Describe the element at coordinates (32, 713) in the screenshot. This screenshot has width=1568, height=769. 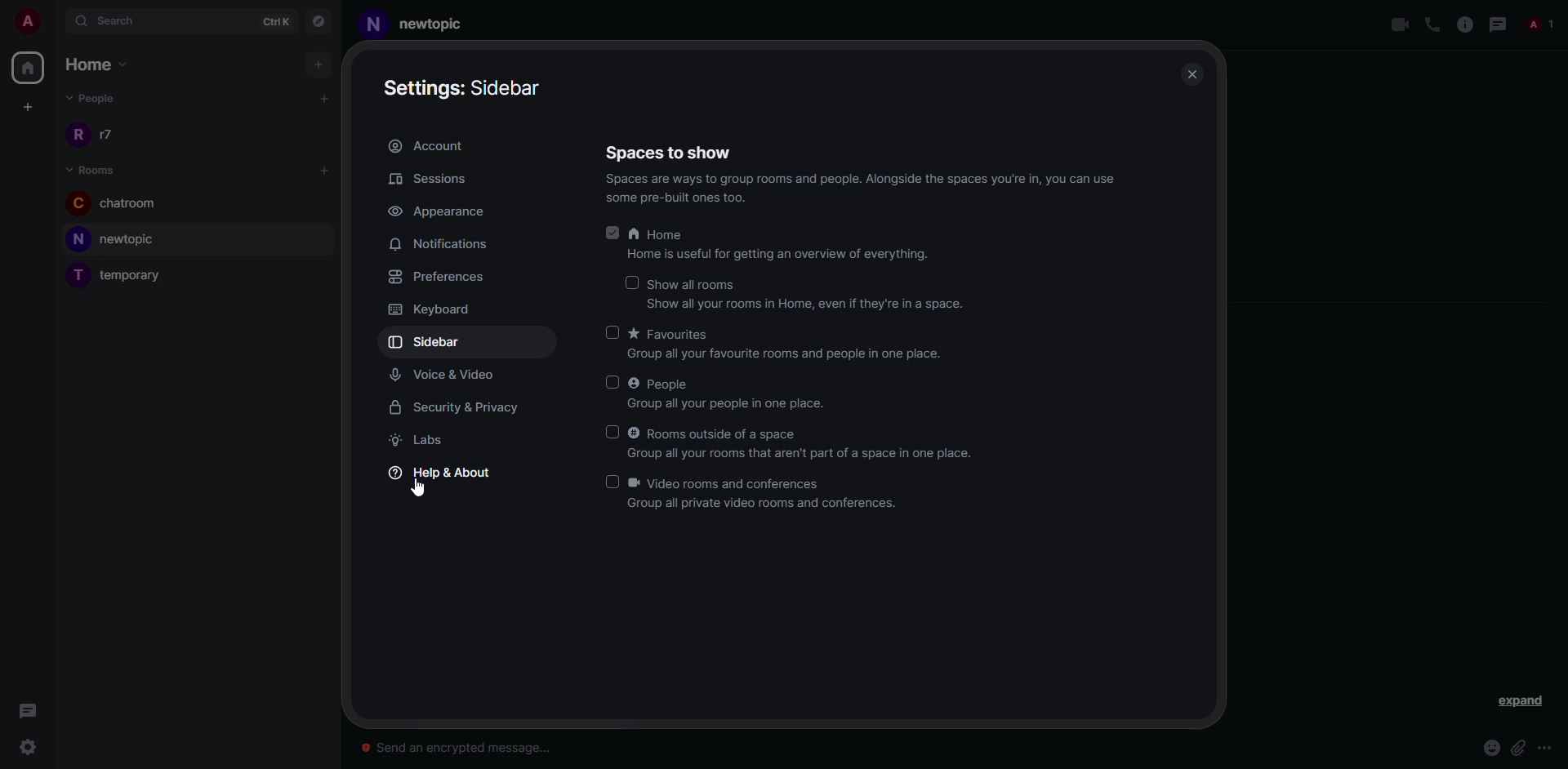
I see `comment` at that location.